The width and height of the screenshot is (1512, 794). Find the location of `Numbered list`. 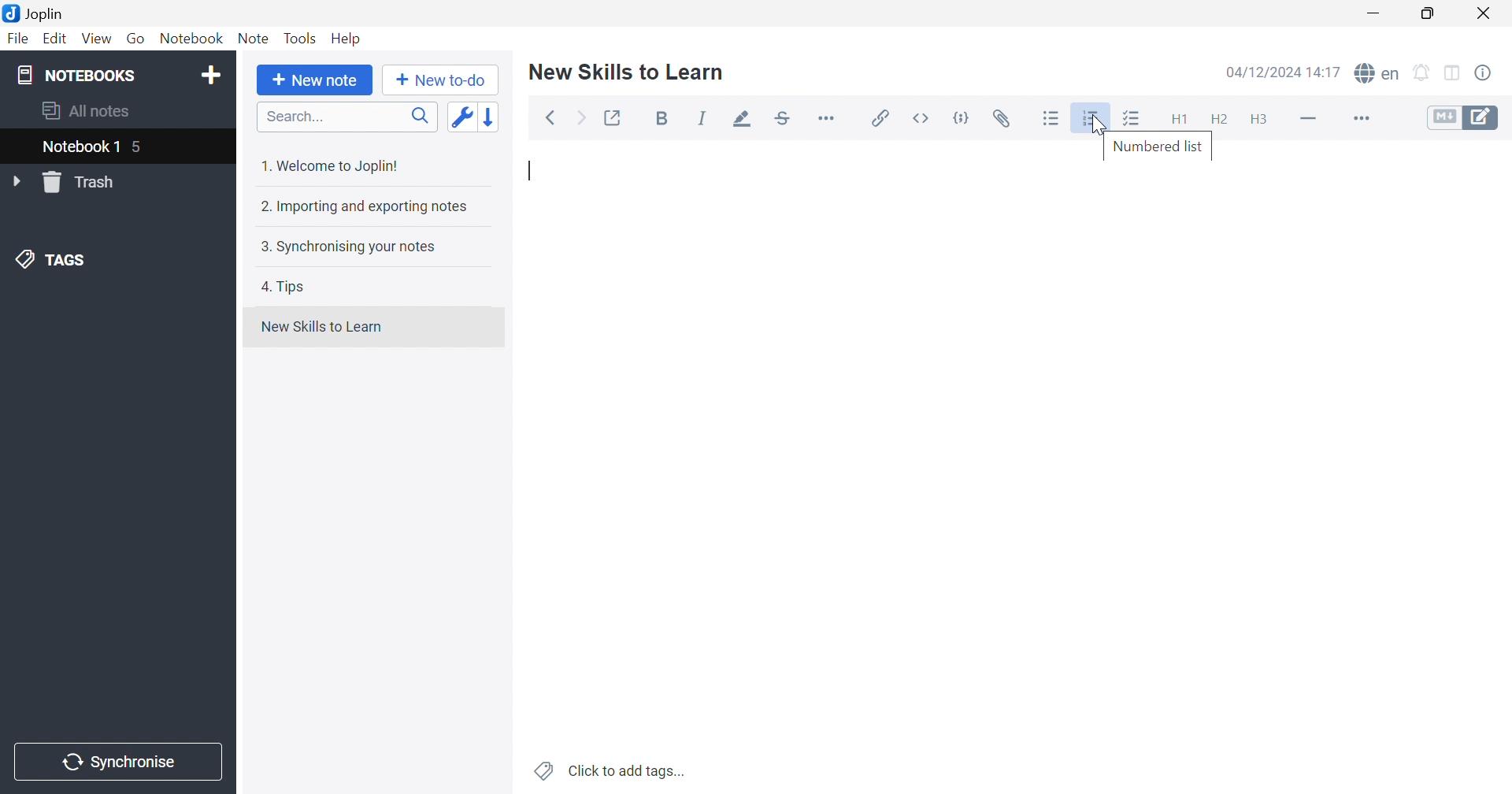

Numbered list is located at coordinates (1092, 118).